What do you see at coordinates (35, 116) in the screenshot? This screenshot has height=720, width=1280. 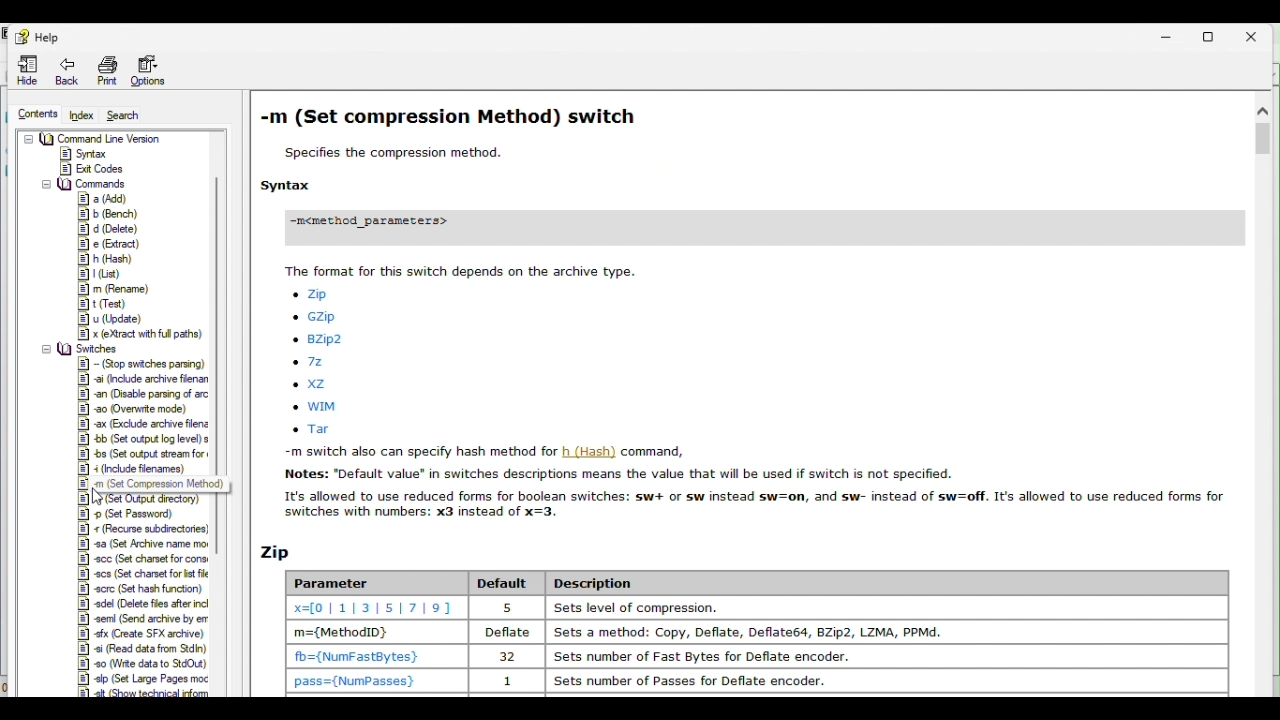 I see `Contents` at bounding box center [35, 116].